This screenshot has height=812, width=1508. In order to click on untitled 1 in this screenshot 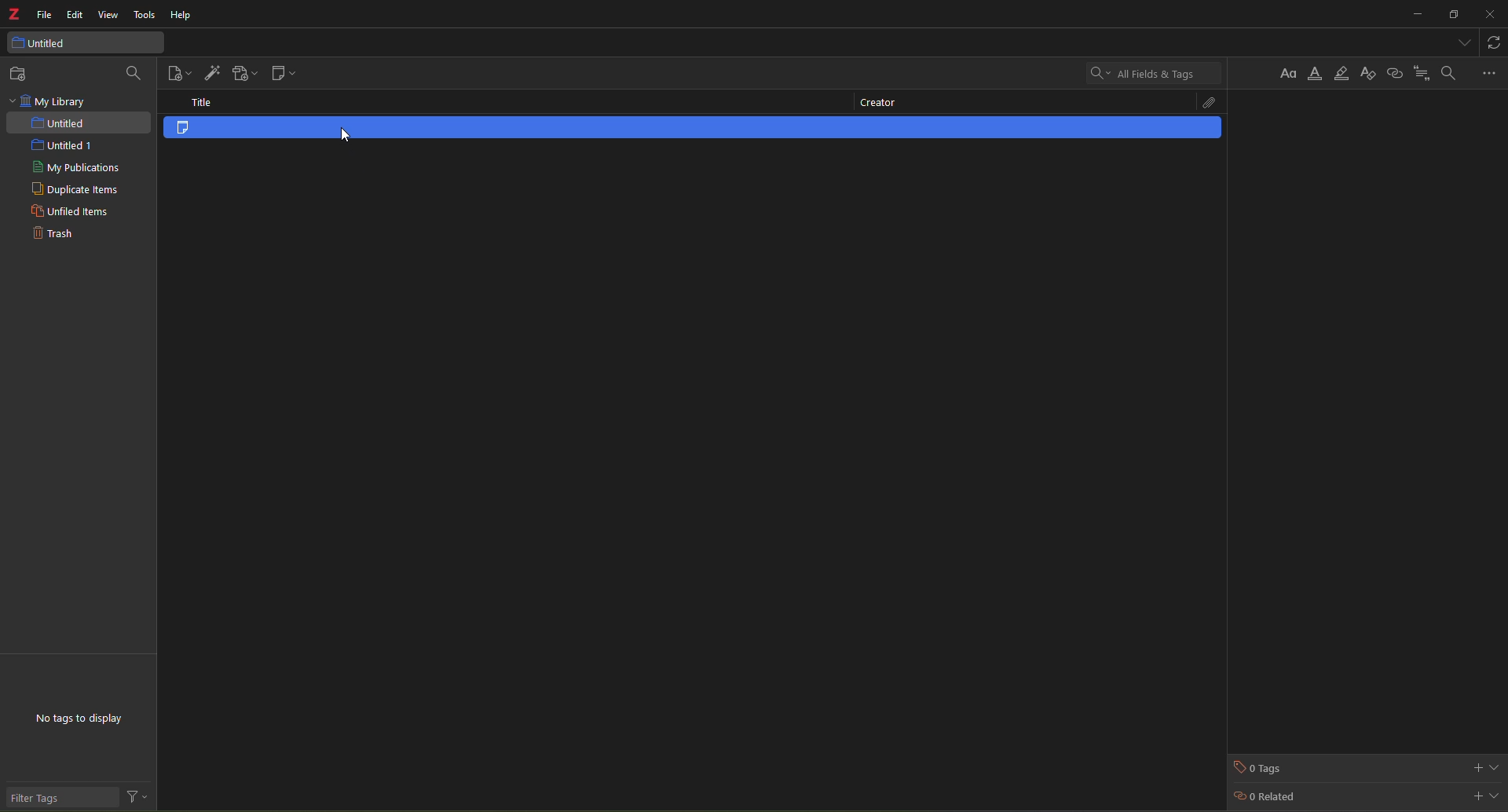, I will do `click(60, 146)`.